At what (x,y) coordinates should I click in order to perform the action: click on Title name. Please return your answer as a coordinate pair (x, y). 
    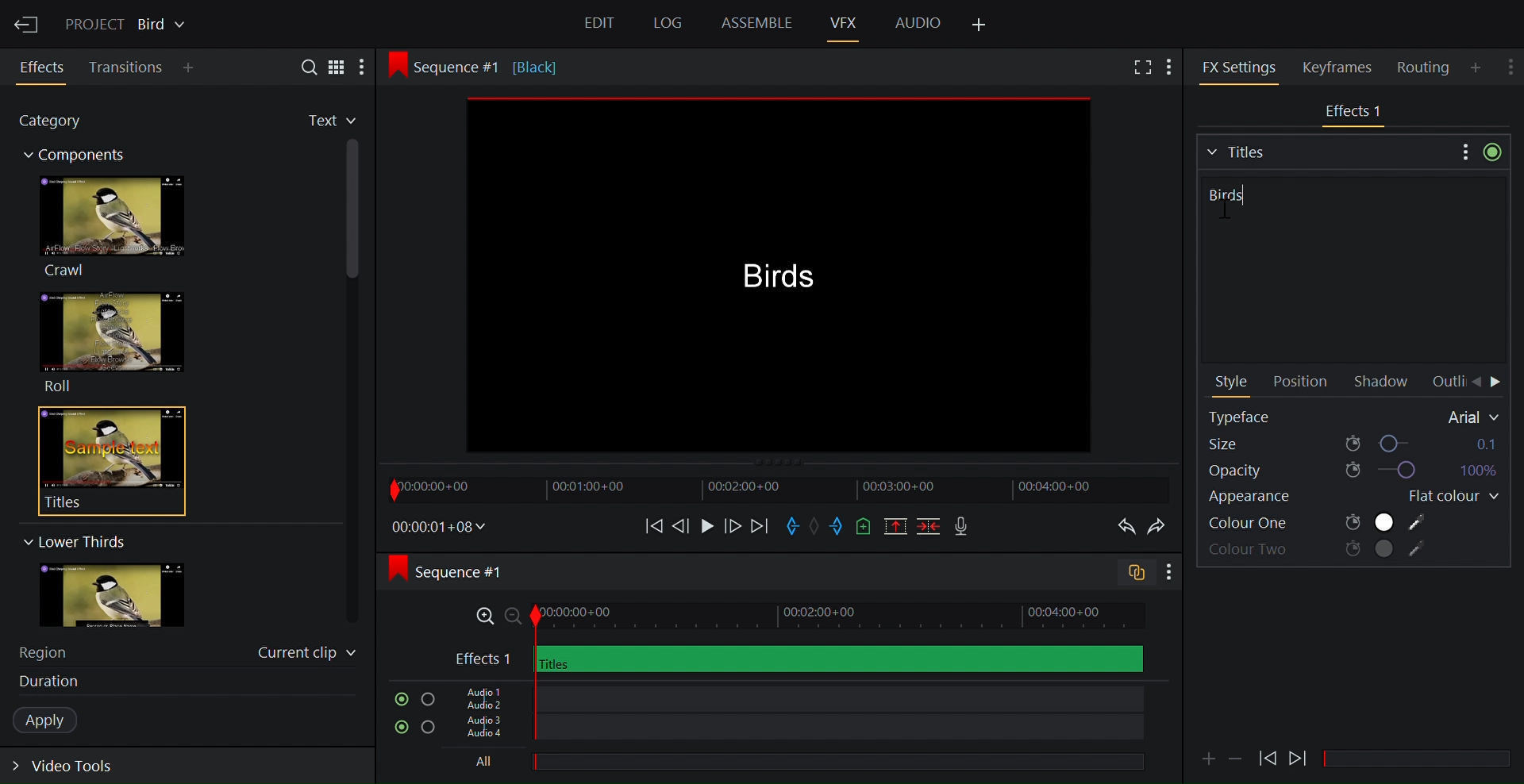
    Looking at the image, I should click on (1344, 267).